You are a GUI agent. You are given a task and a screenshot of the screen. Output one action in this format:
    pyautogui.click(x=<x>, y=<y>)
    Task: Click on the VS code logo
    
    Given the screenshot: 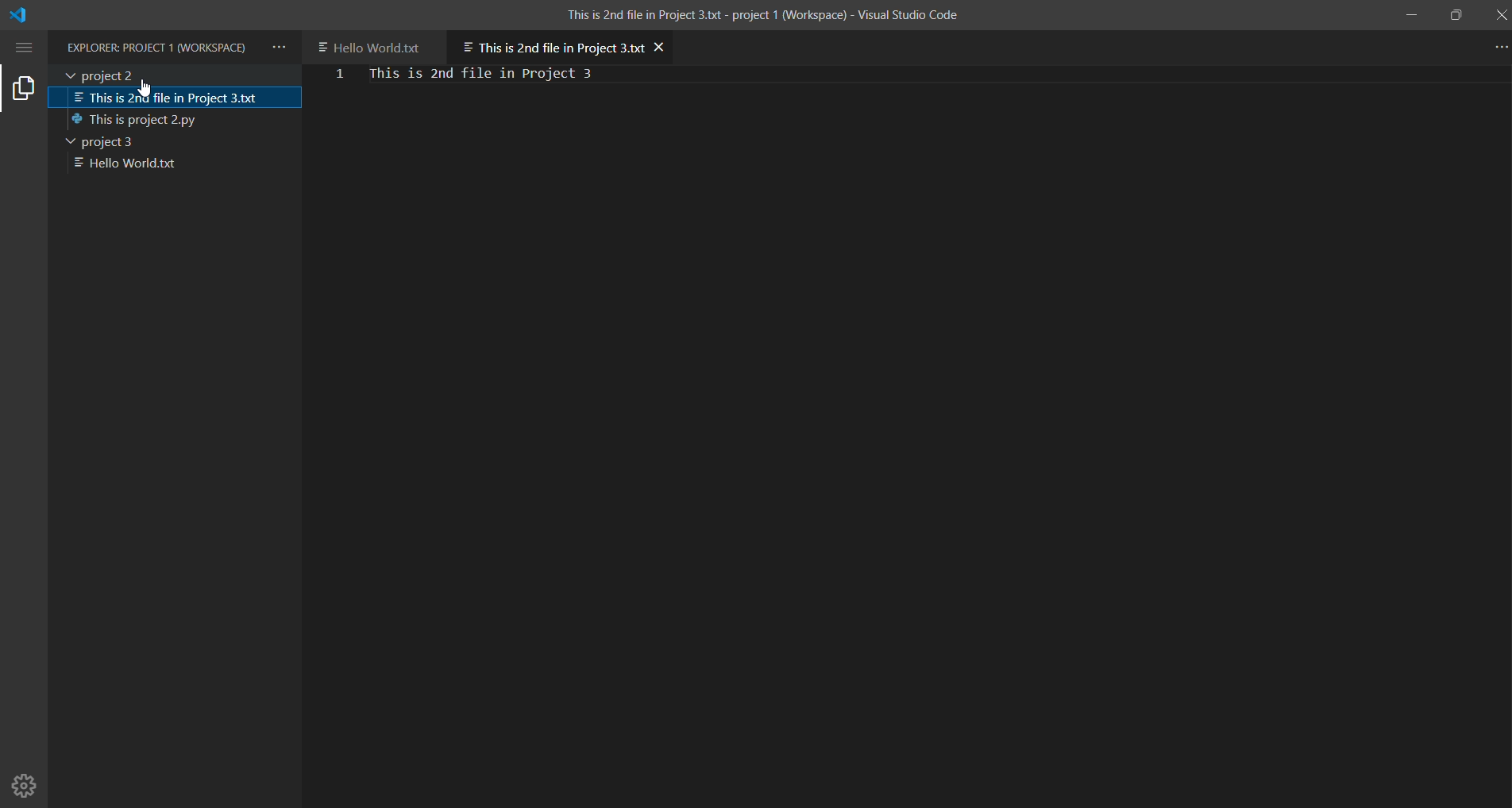 What is the action you would take?
    pyautogui.click(x=22, y=17)
    